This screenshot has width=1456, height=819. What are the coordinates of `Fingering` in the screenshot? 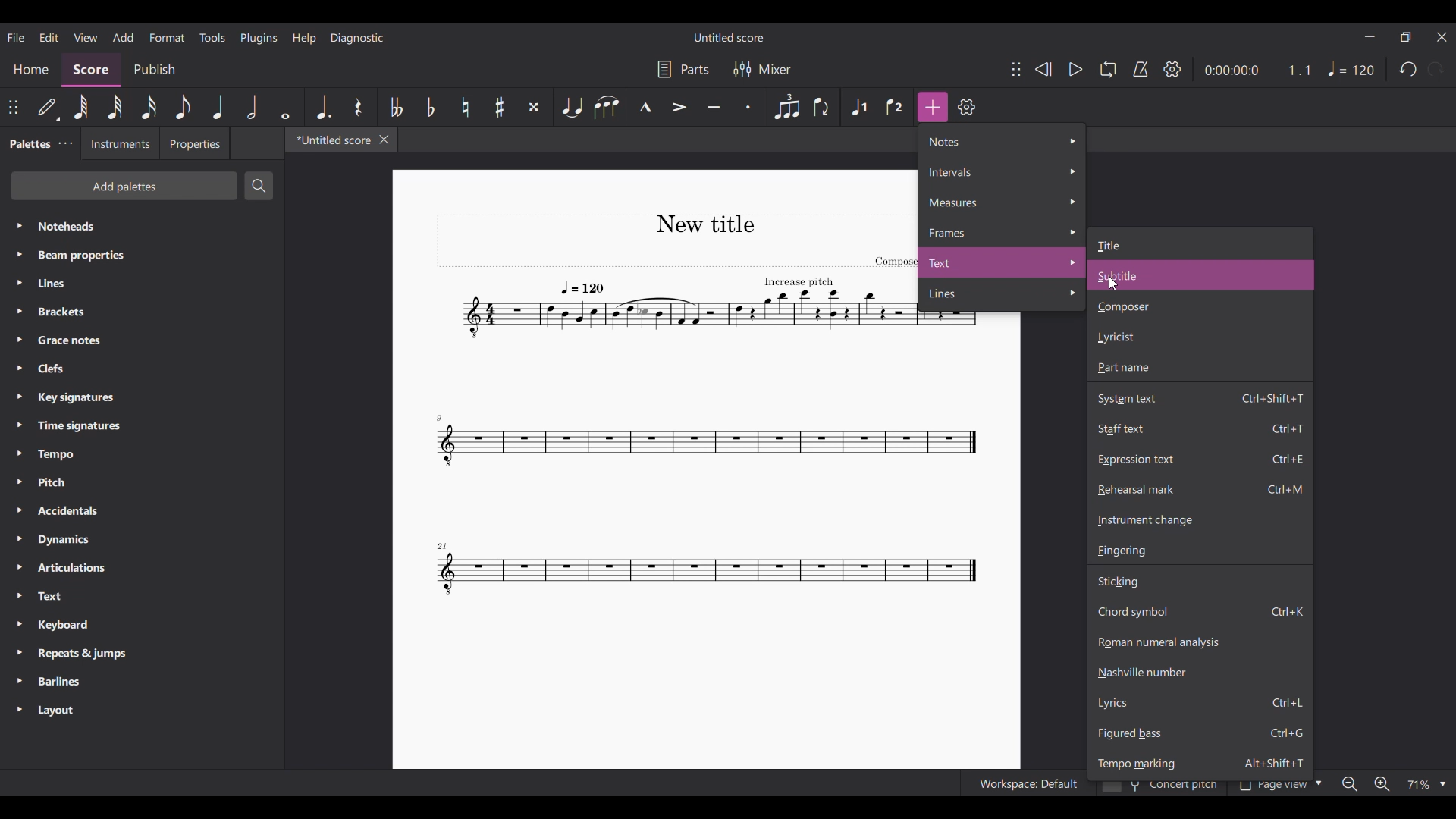 It's located at (1200, 551).